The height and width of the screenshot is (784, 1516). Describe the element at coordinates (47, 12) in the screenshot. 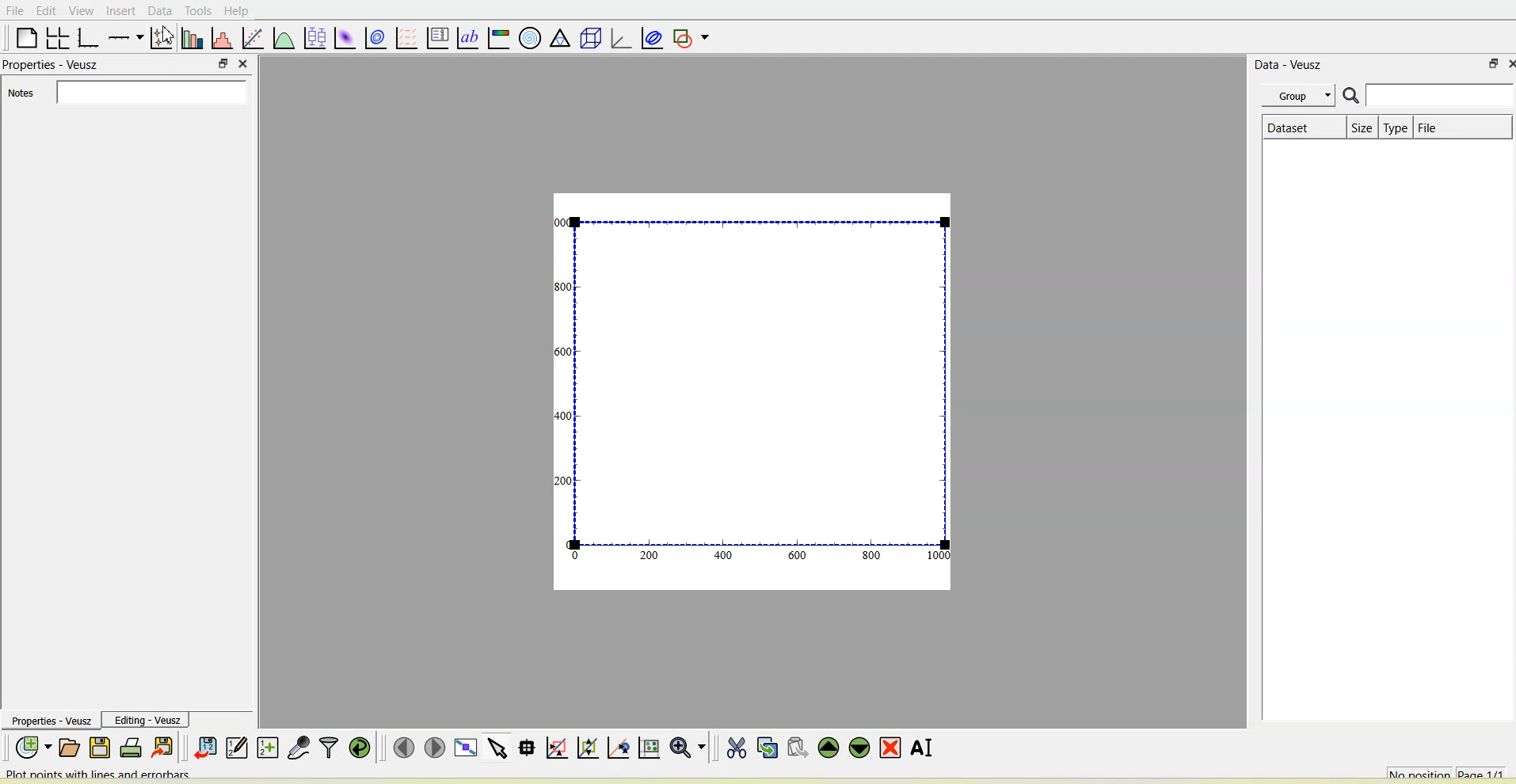

I see `Edit` at that location.